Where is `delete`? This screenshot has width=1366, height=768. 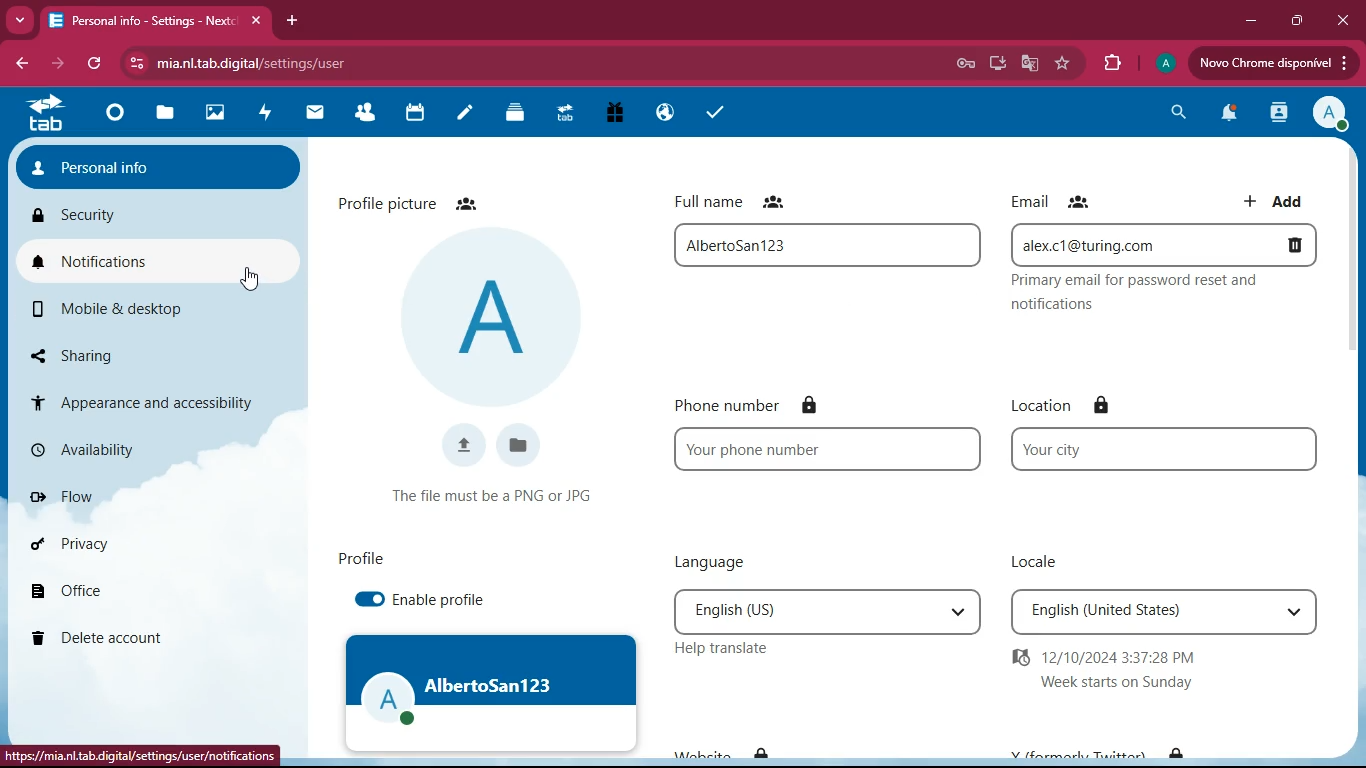 delete is located at coordinates (122, 639).